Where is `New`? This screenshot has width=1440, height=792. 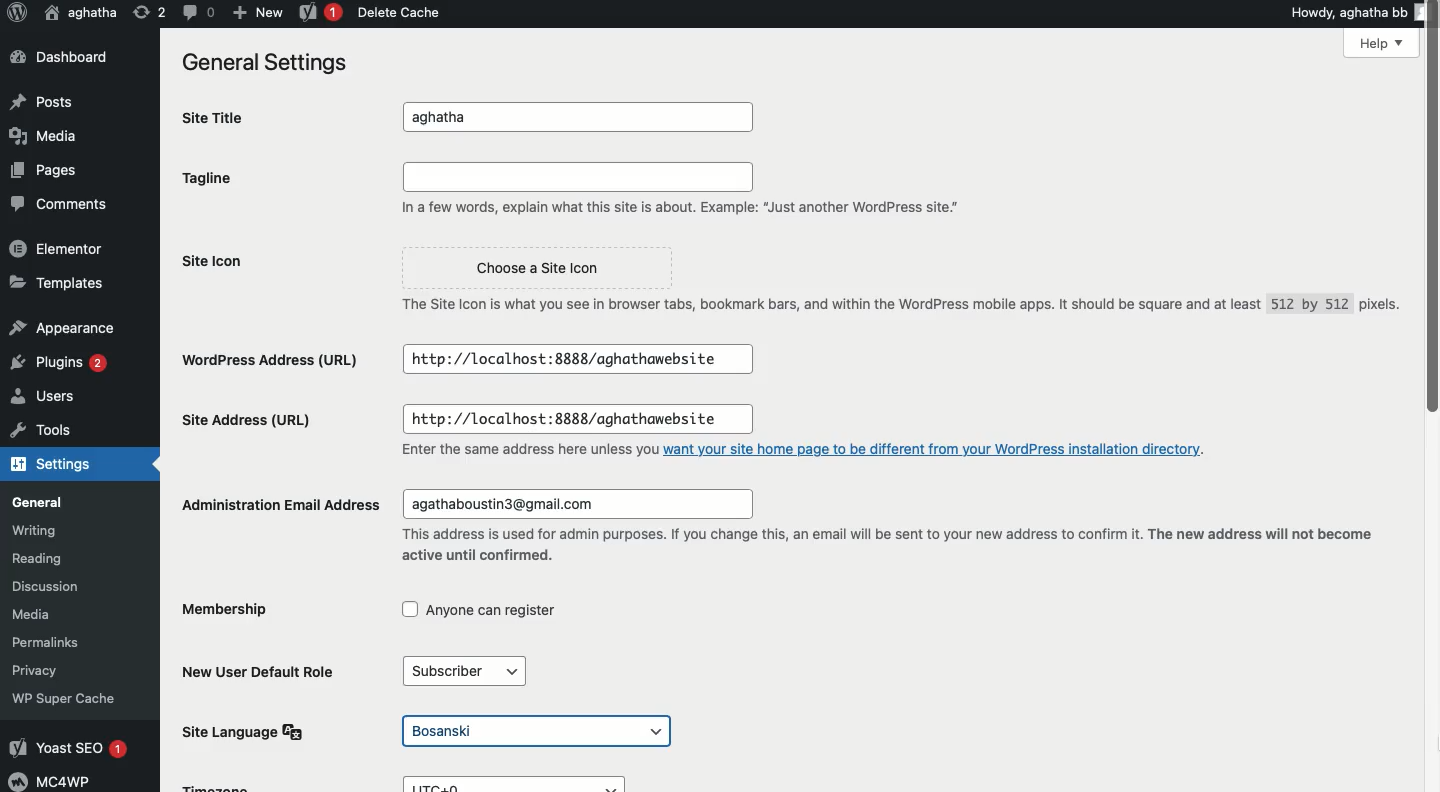 New is located at coordinates (254, 12).